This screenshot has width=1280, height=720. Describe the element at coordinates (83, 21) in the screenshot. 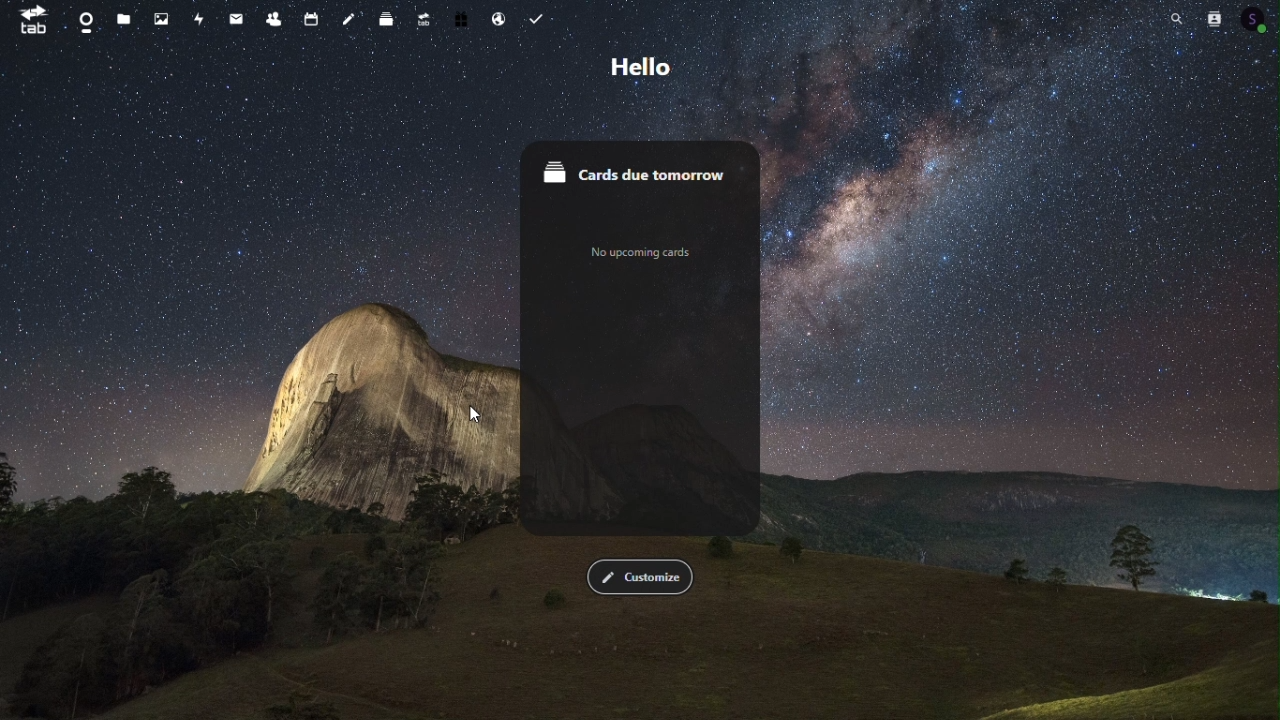

I see `Dashboard` at that location.